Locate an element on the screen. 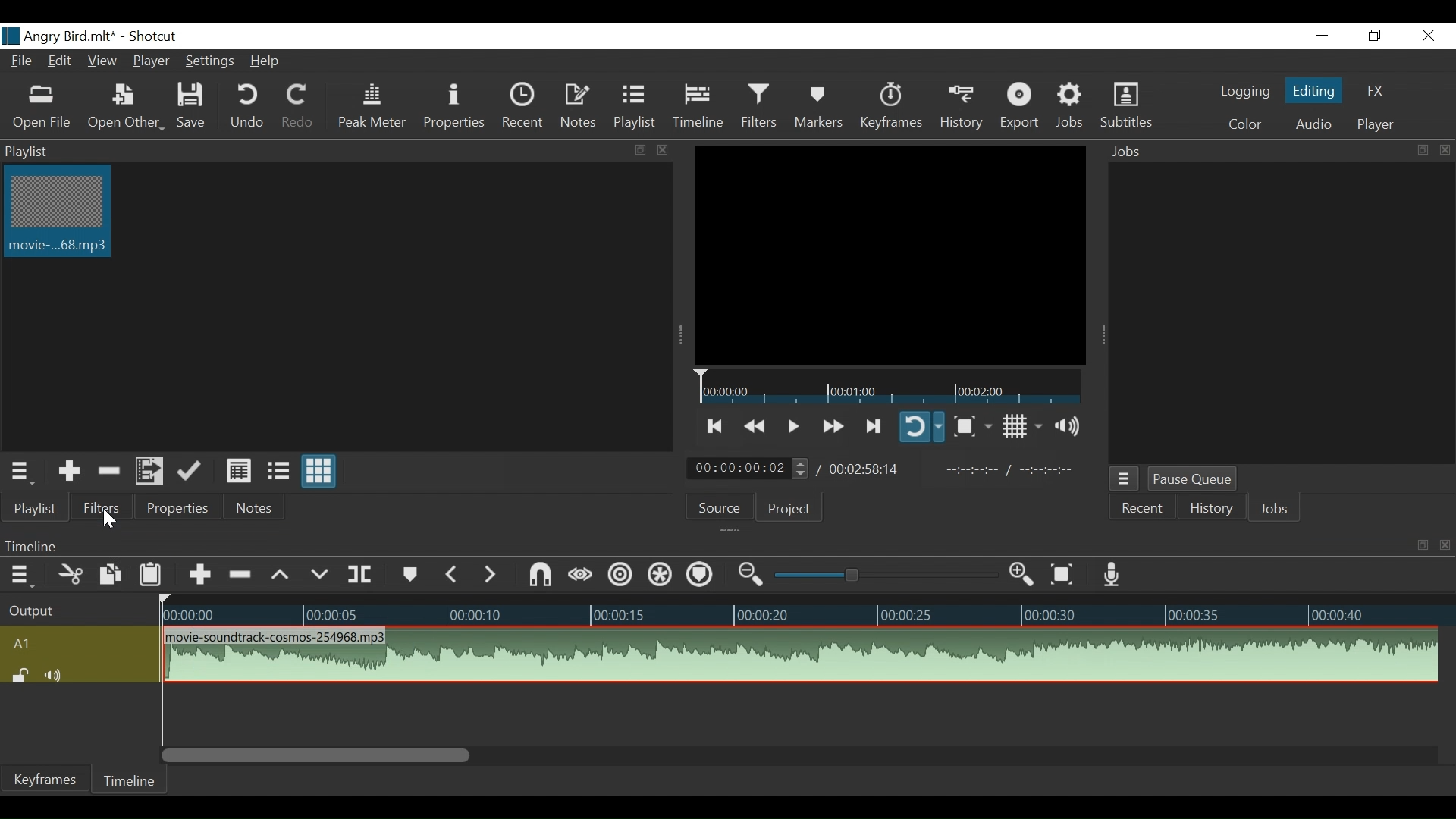 Image resolution: width=1456 pixels, height=819 pixels. Timeline menu is located at coordinates (19, 574).